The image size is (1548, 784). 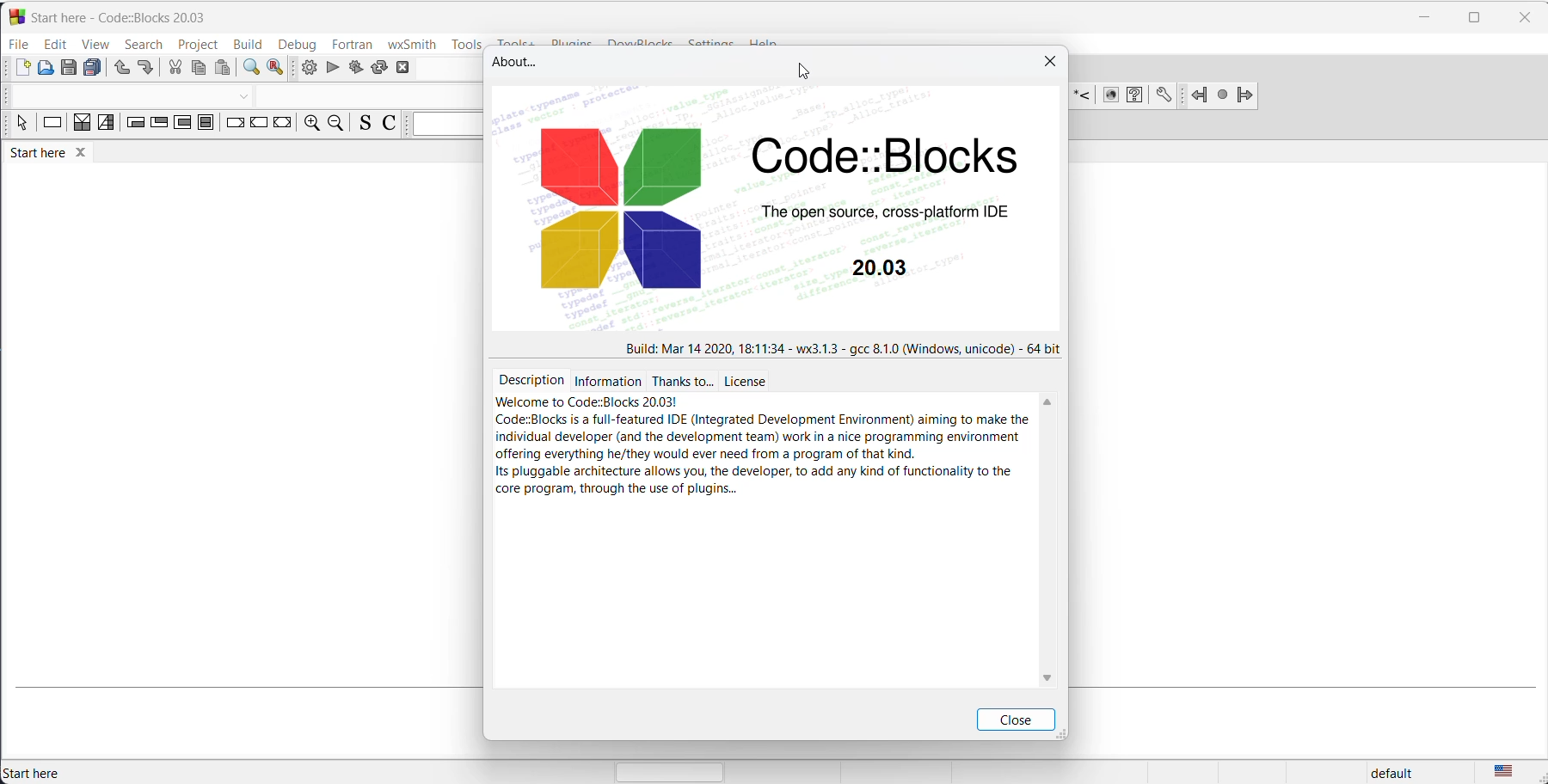 What do you see at coordinates (278, 70) in the screenshot?
I see `replace` at bounding box center [278, 70].